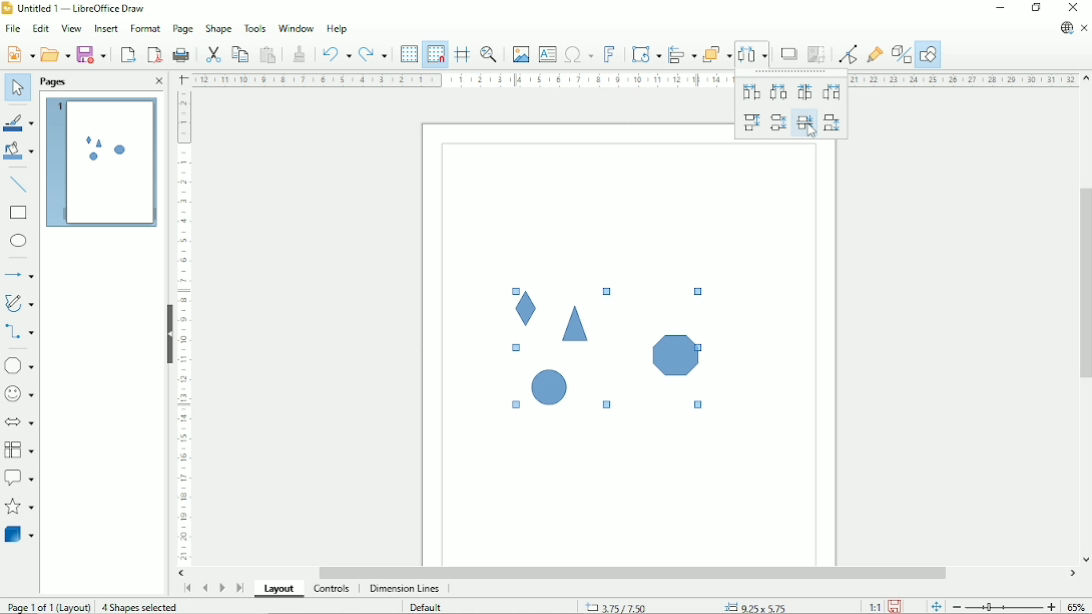 The width and height of the screenshot is (1092, 614). What do you see at coordinates (55, 55) in the screenshot?
I see `Open ` at bounding box center [55, 55].